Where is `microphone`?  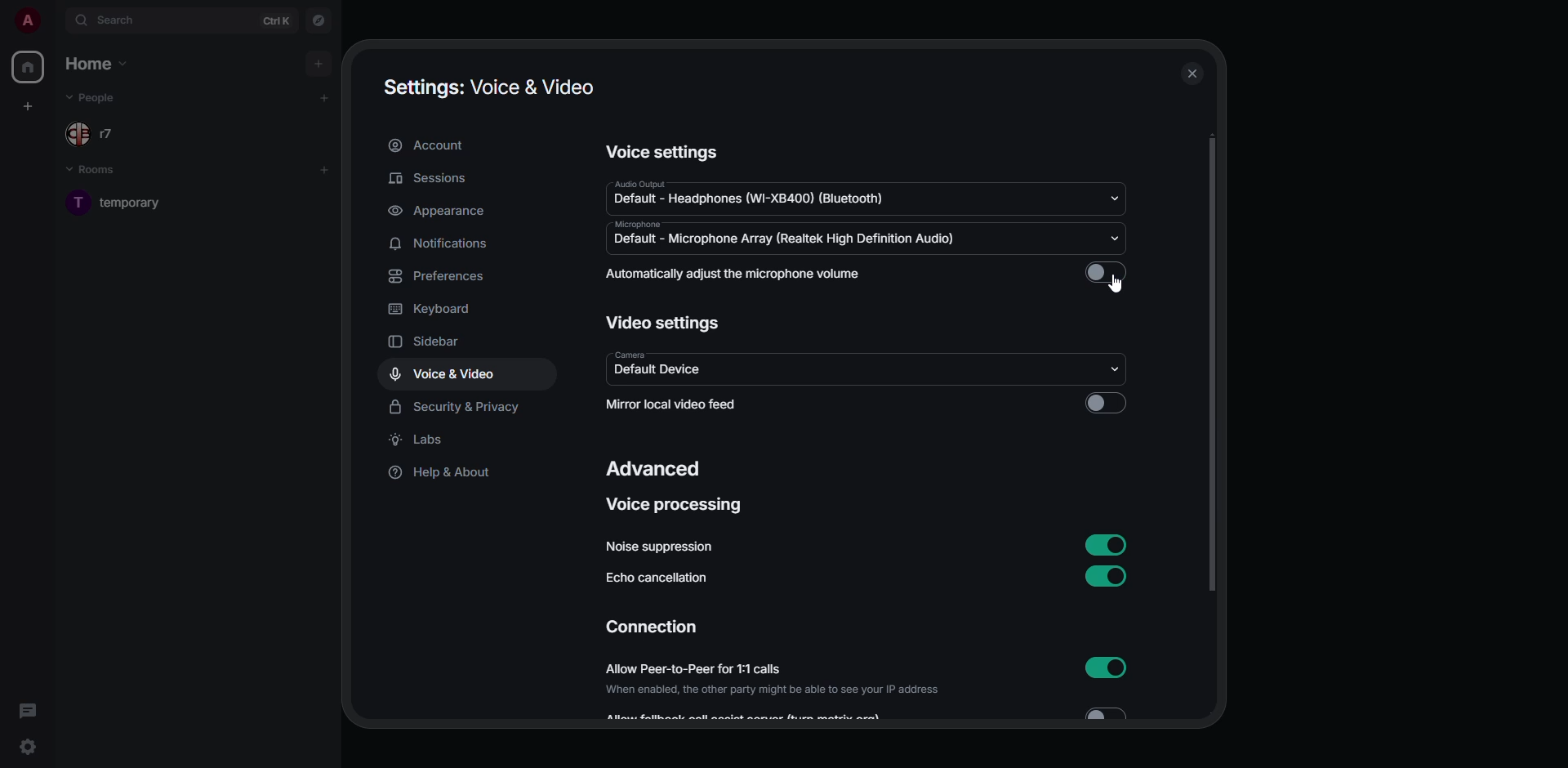
microphone is located at coordinates (647, 225).